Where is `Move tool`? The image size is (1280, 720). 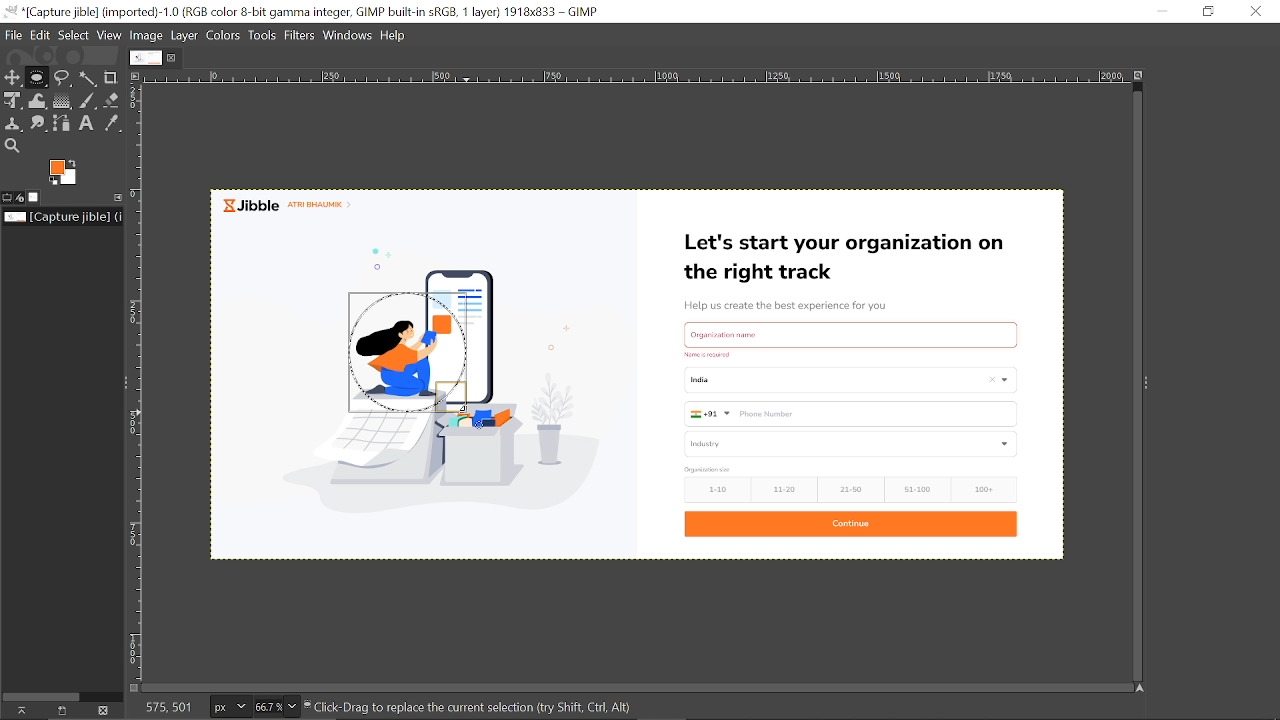
Move tool is located at coordinates (12, 76).